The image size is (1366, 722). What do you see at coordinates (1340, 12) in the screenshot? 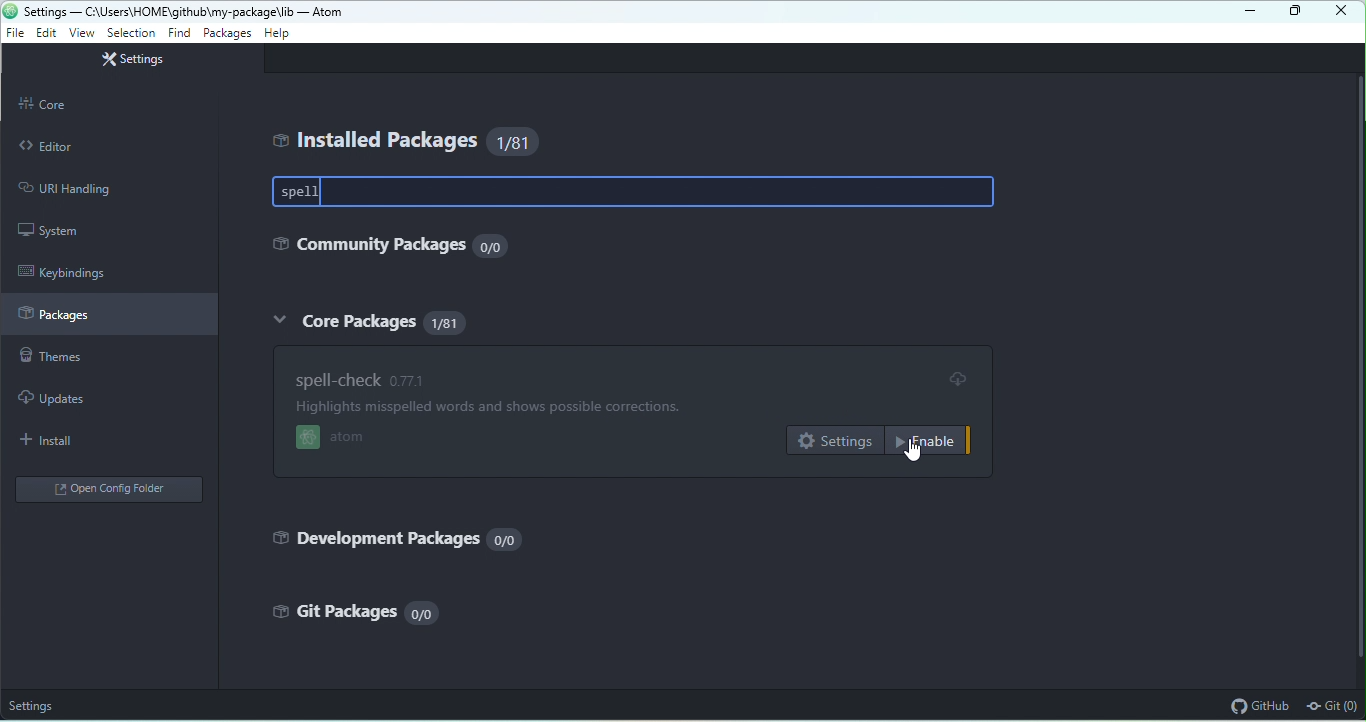
I see `close` at bounding box center [1340, 12].